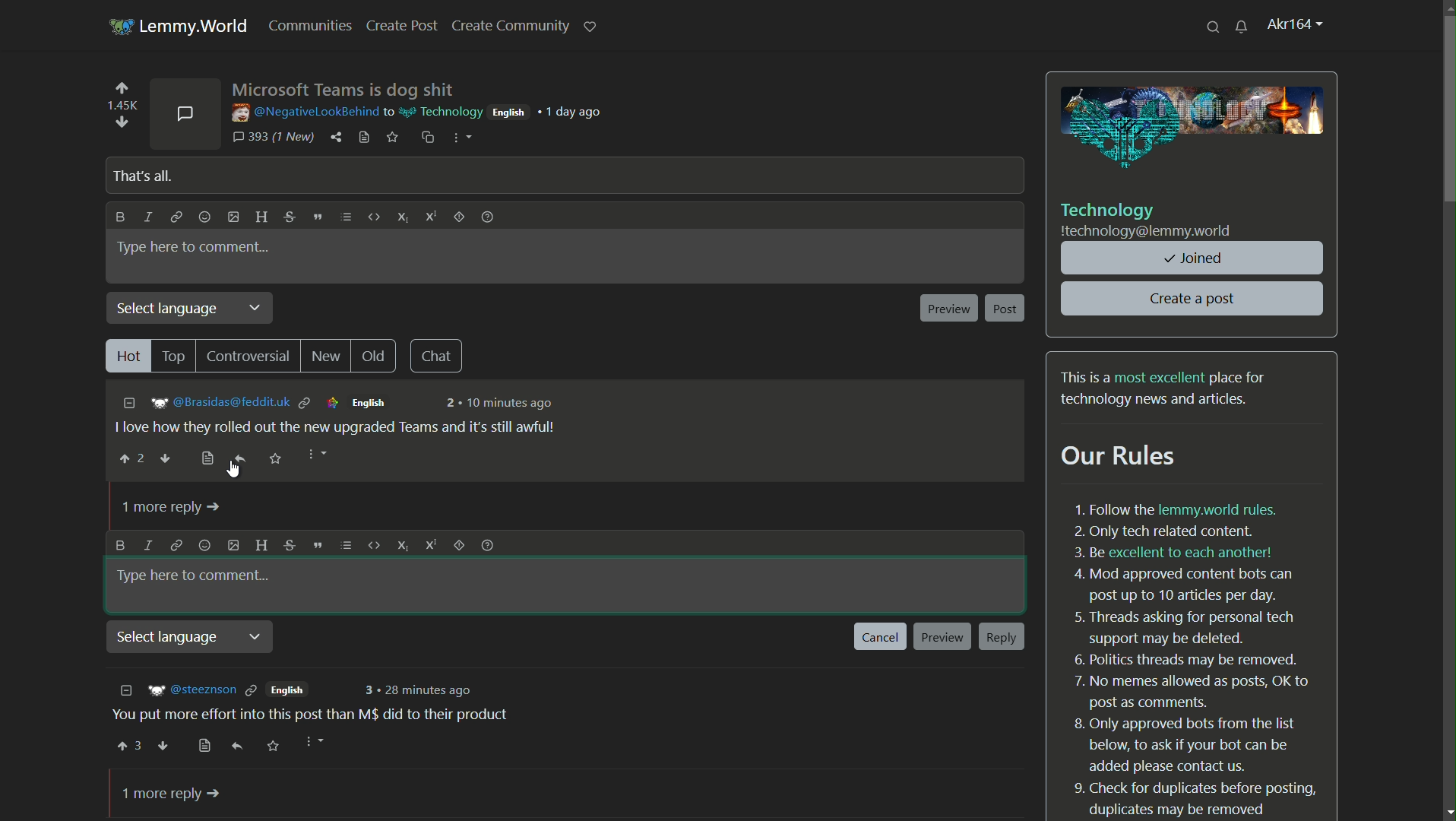  I want to click on list, so click(347, 217).